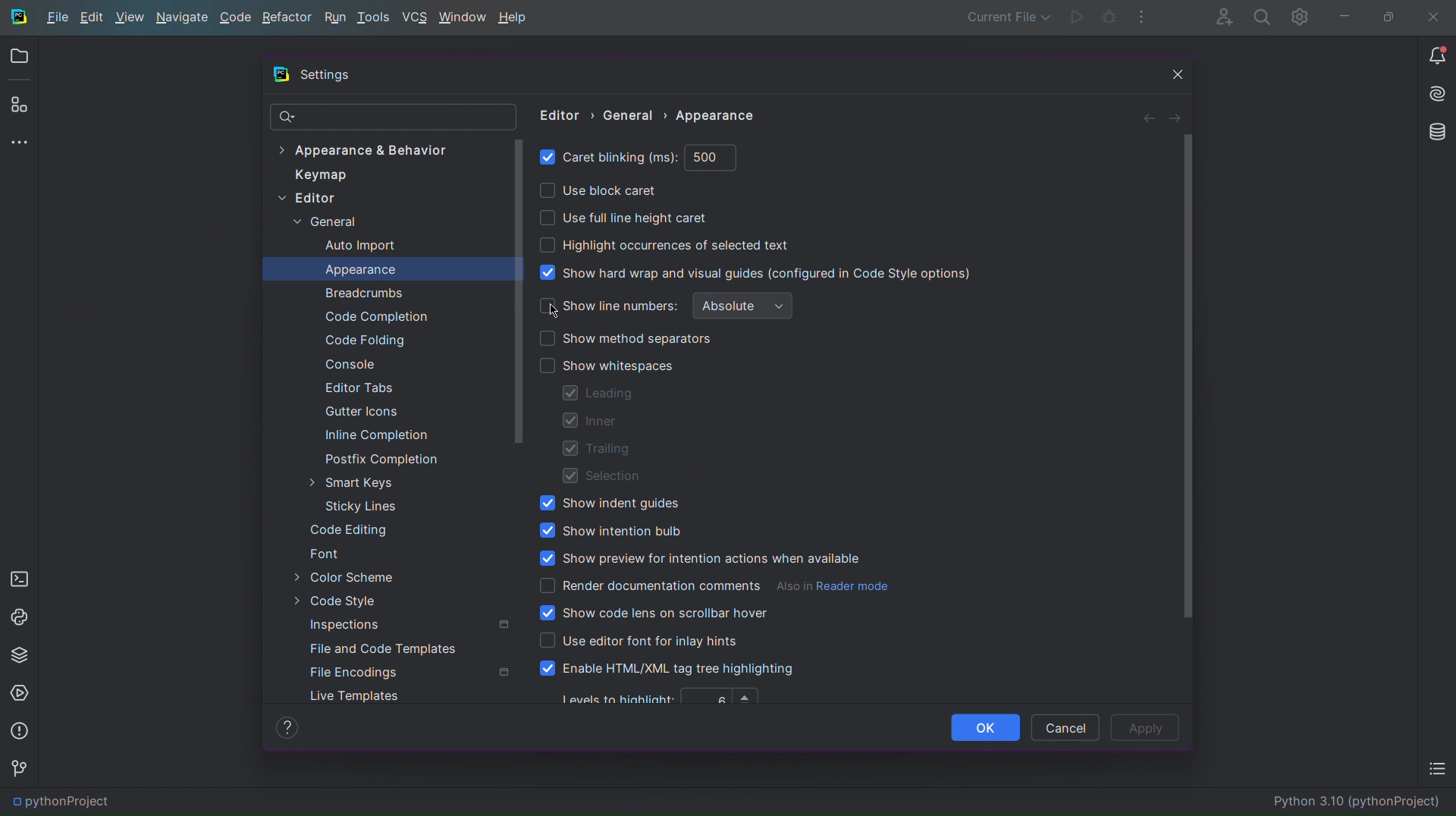  I want to click on Scrollbar, so click(1187, 378).